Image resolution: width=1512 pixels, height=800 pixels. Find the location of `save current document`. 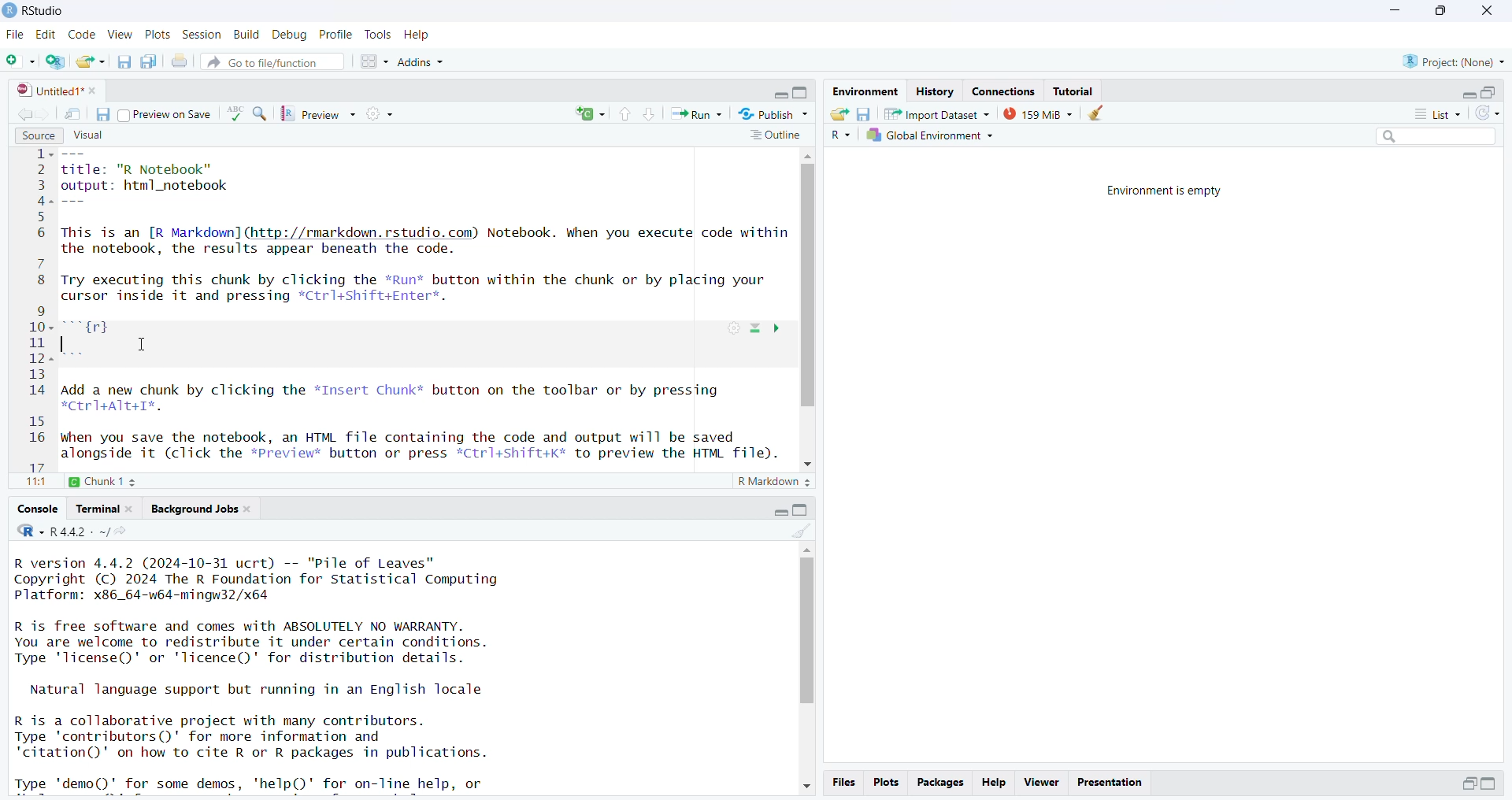

save current document is located at coordinates (126, 61).